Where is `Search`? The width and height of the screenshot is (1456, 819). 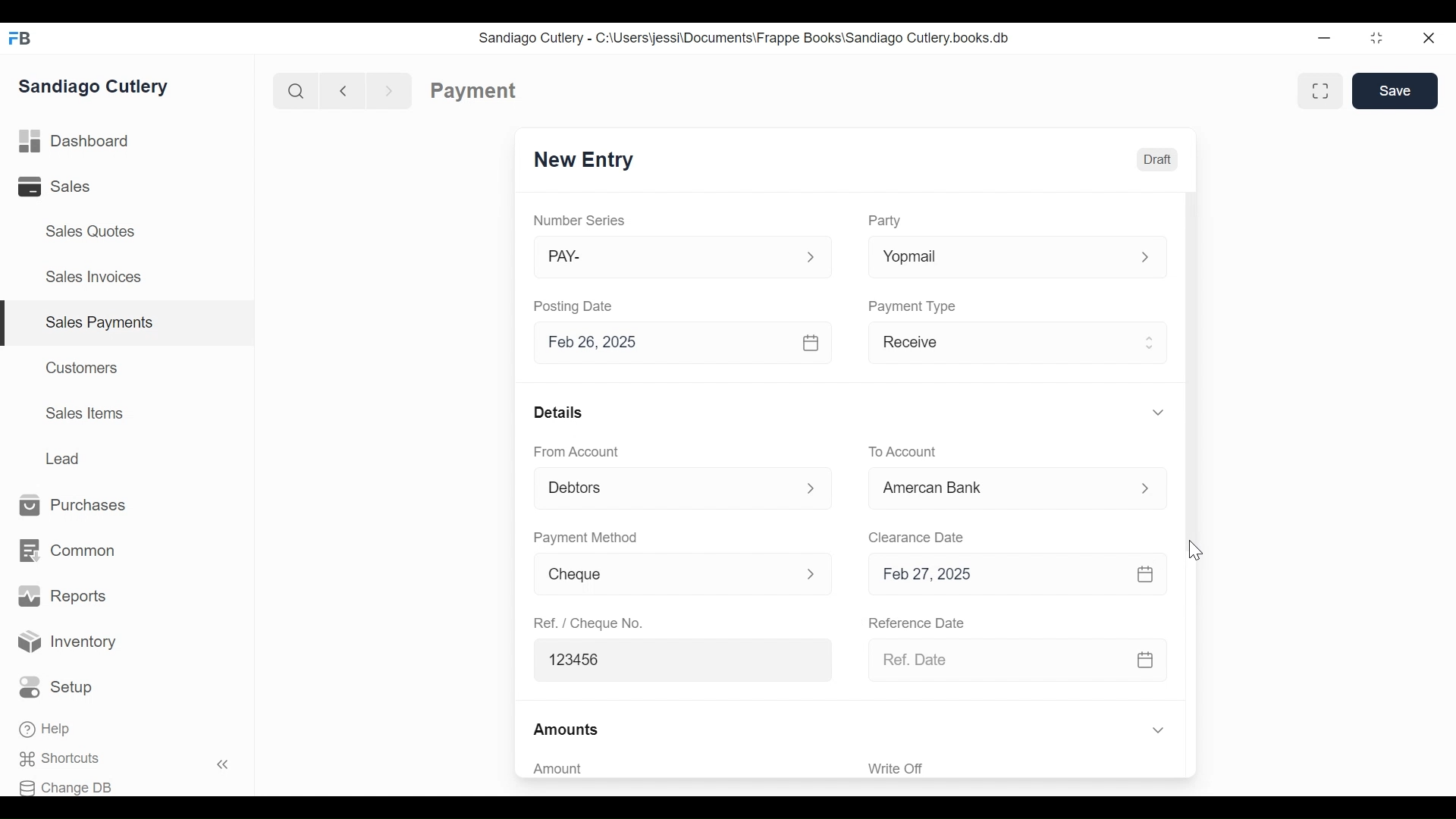
Search is located at coordinates (293, 90).